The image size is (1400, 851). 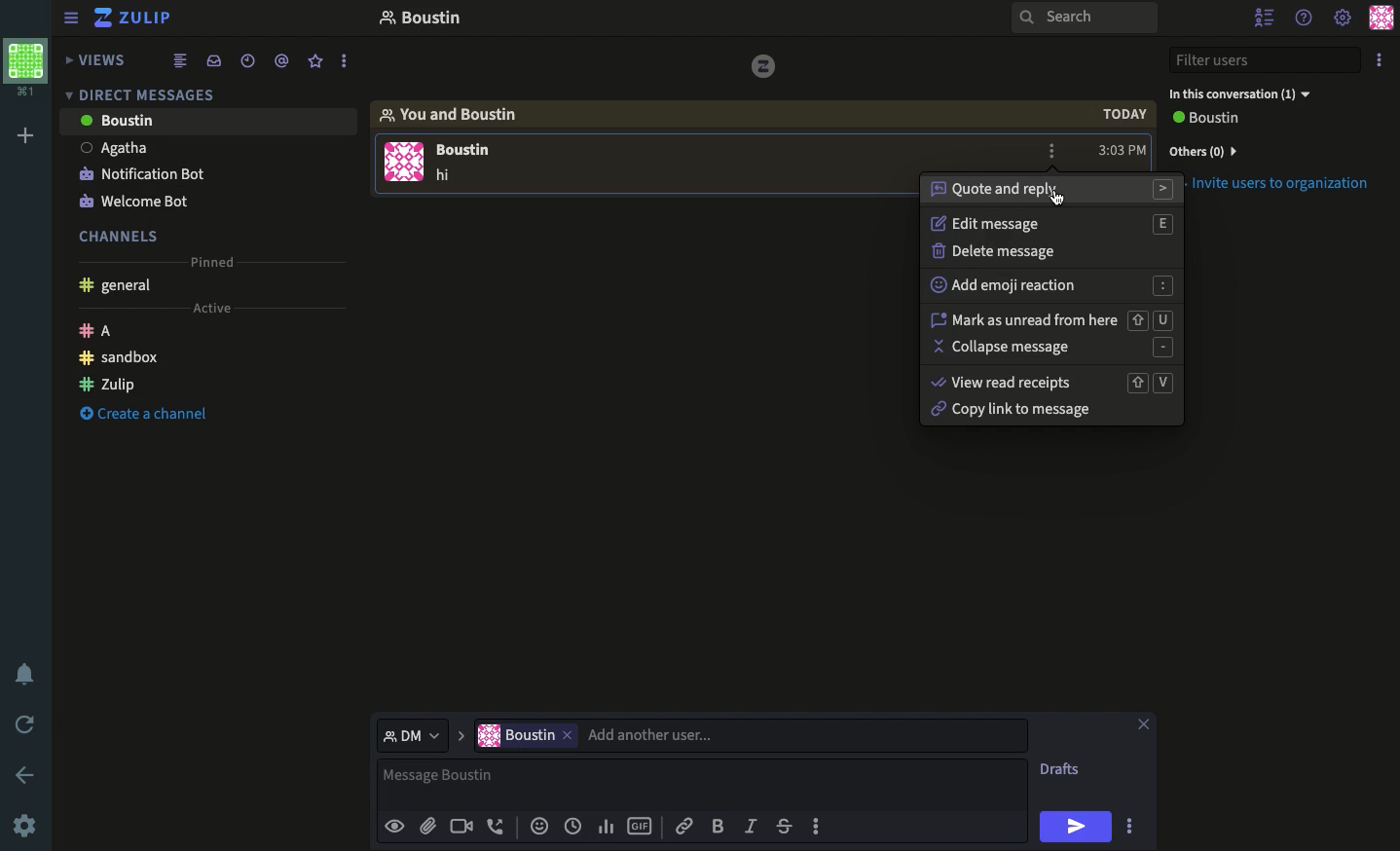 I want to click on Text, so click(x=447, y=176).